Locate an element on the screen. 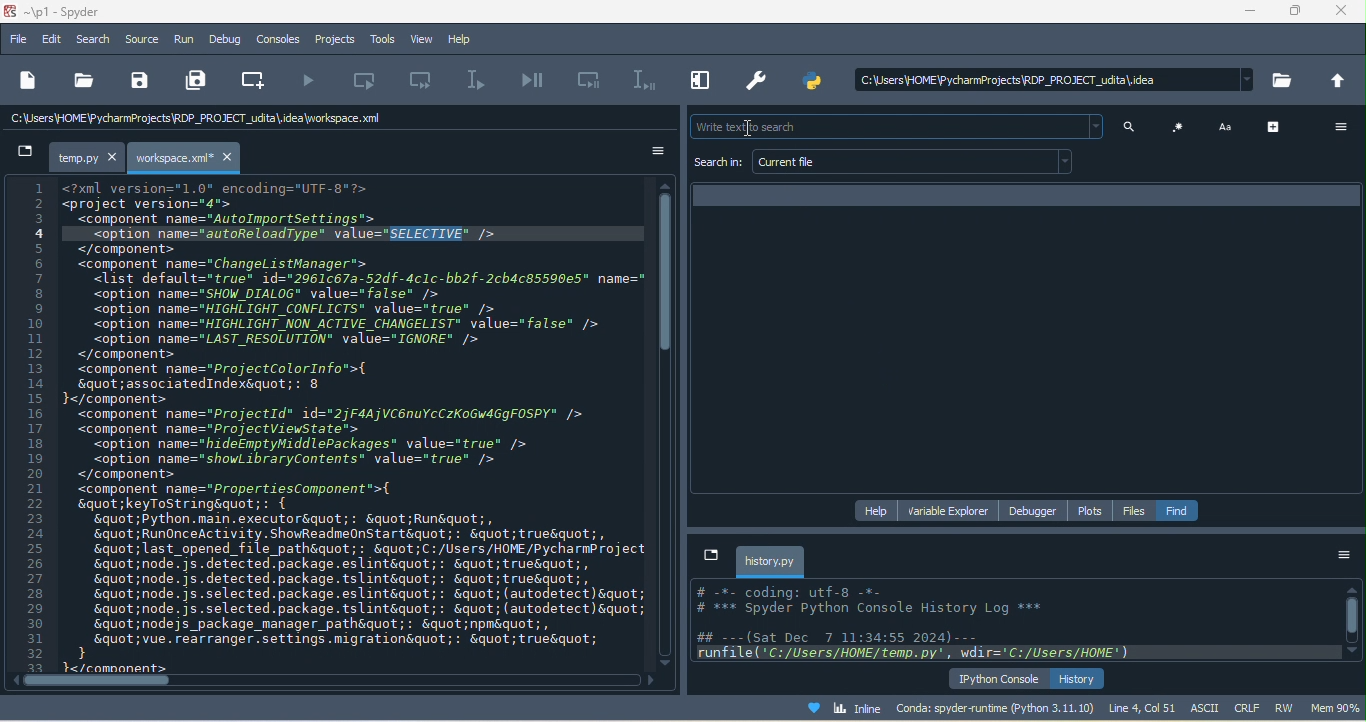 The height and width of the screenshot is (722, 1366). debugger is located at coordinates (1037, 511).